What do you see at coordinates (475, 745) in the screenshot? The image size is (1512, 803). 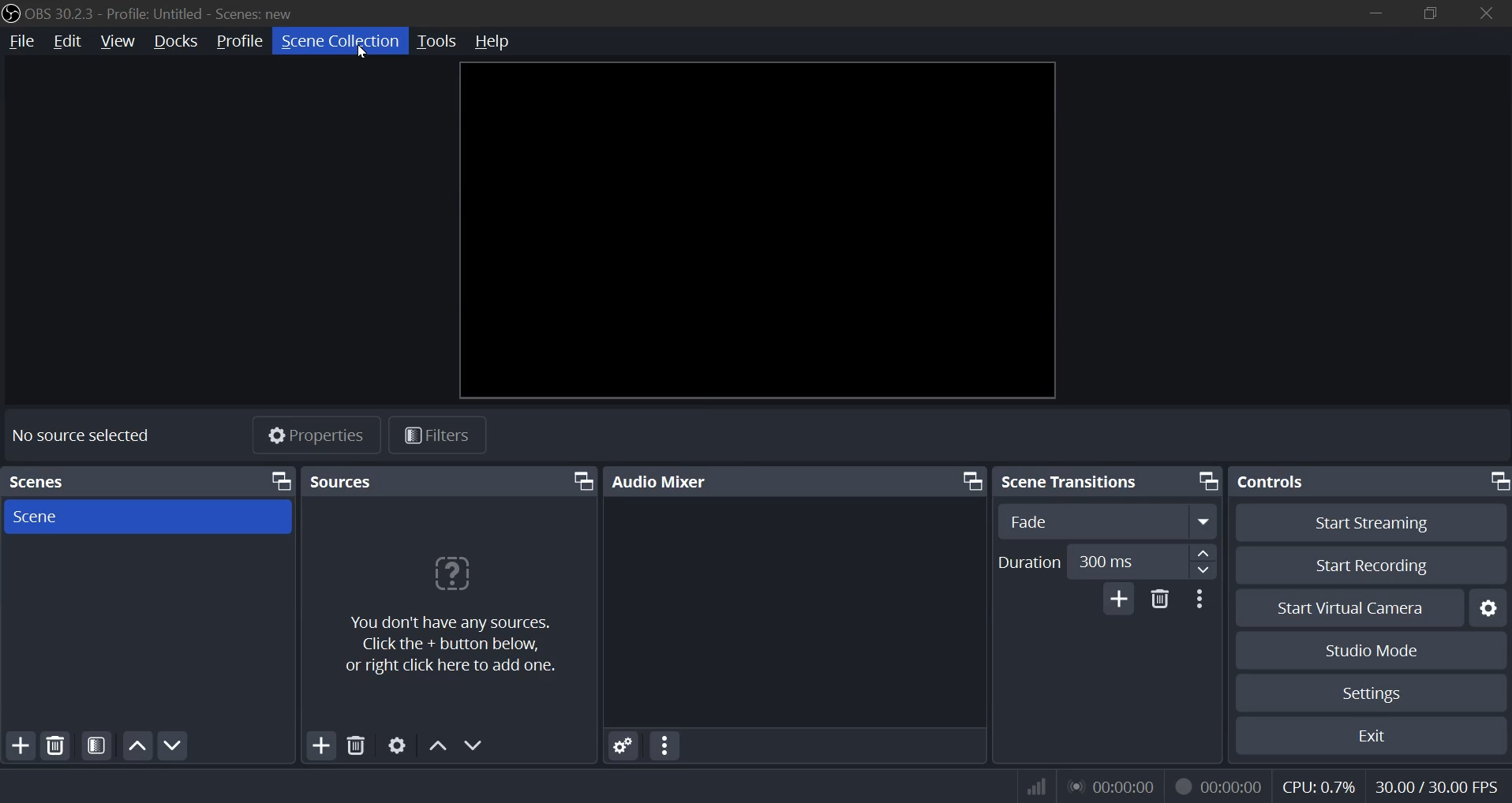 I see `down` at bounding box center [475, 745].